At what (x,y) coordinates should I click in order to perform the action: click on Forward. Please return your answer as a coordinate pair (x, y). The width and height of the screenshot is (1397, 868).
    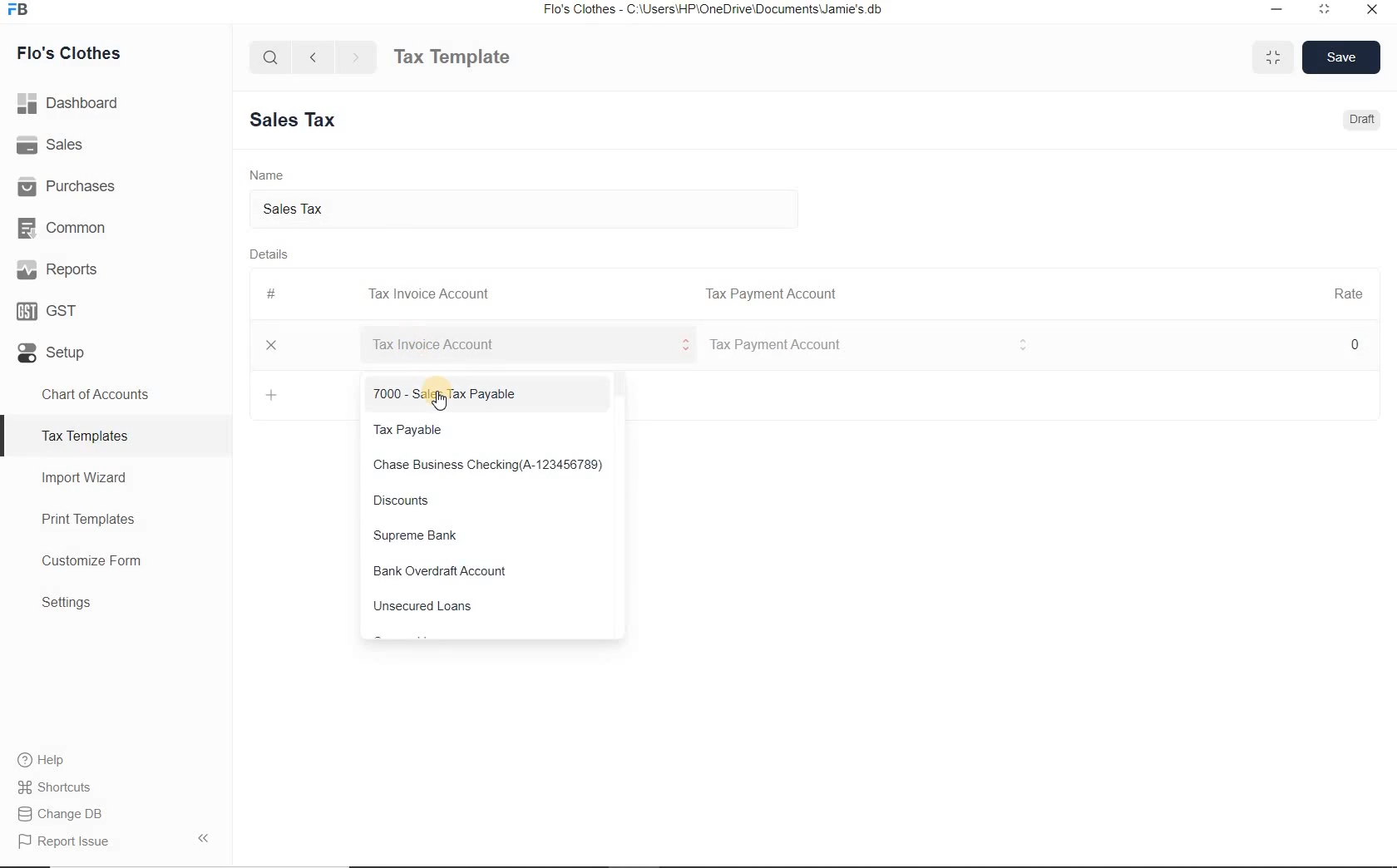
    Looking at the image, I should click on (357, 57).